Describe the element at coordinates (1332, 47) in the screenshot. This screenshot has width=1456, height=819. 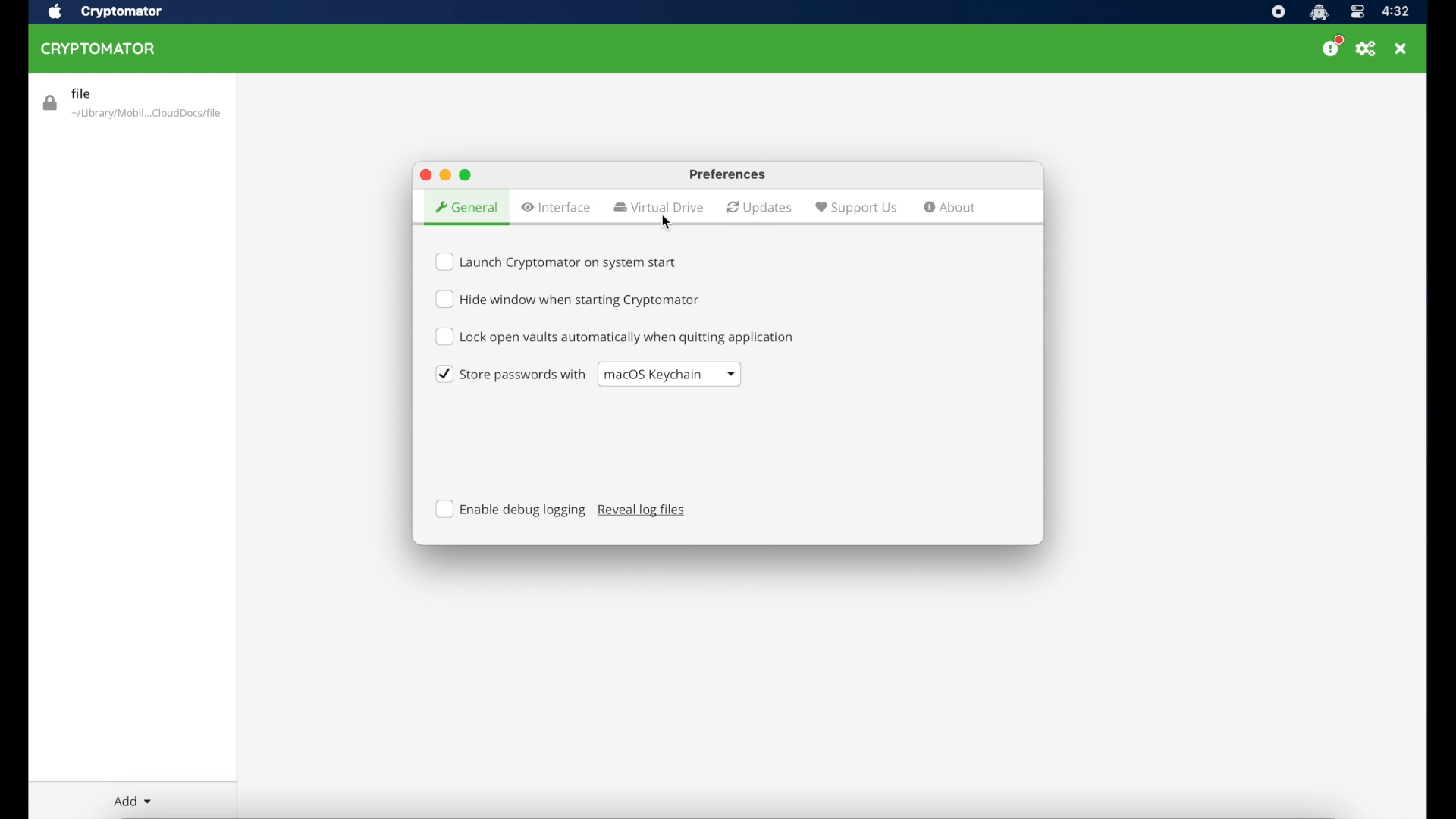
I see `donate` at that location.